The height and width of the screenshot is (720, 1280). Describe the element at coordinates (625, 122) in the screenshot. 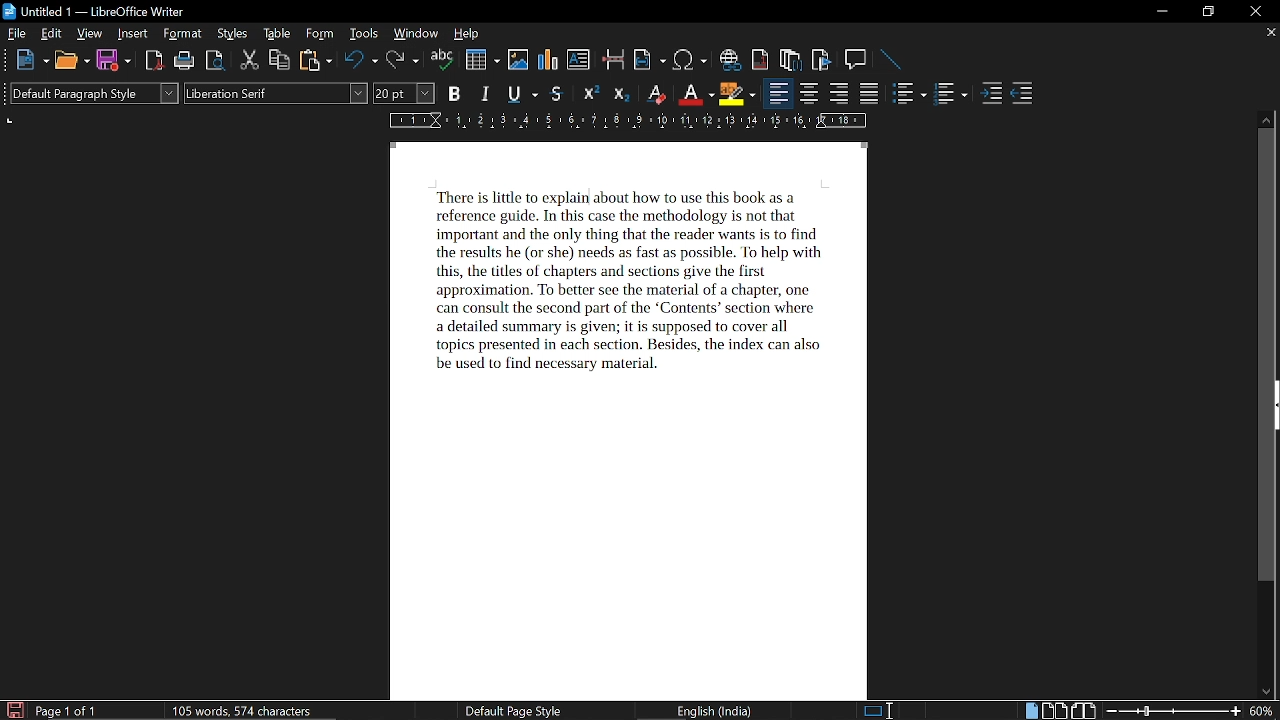

I see `scale` at that location.